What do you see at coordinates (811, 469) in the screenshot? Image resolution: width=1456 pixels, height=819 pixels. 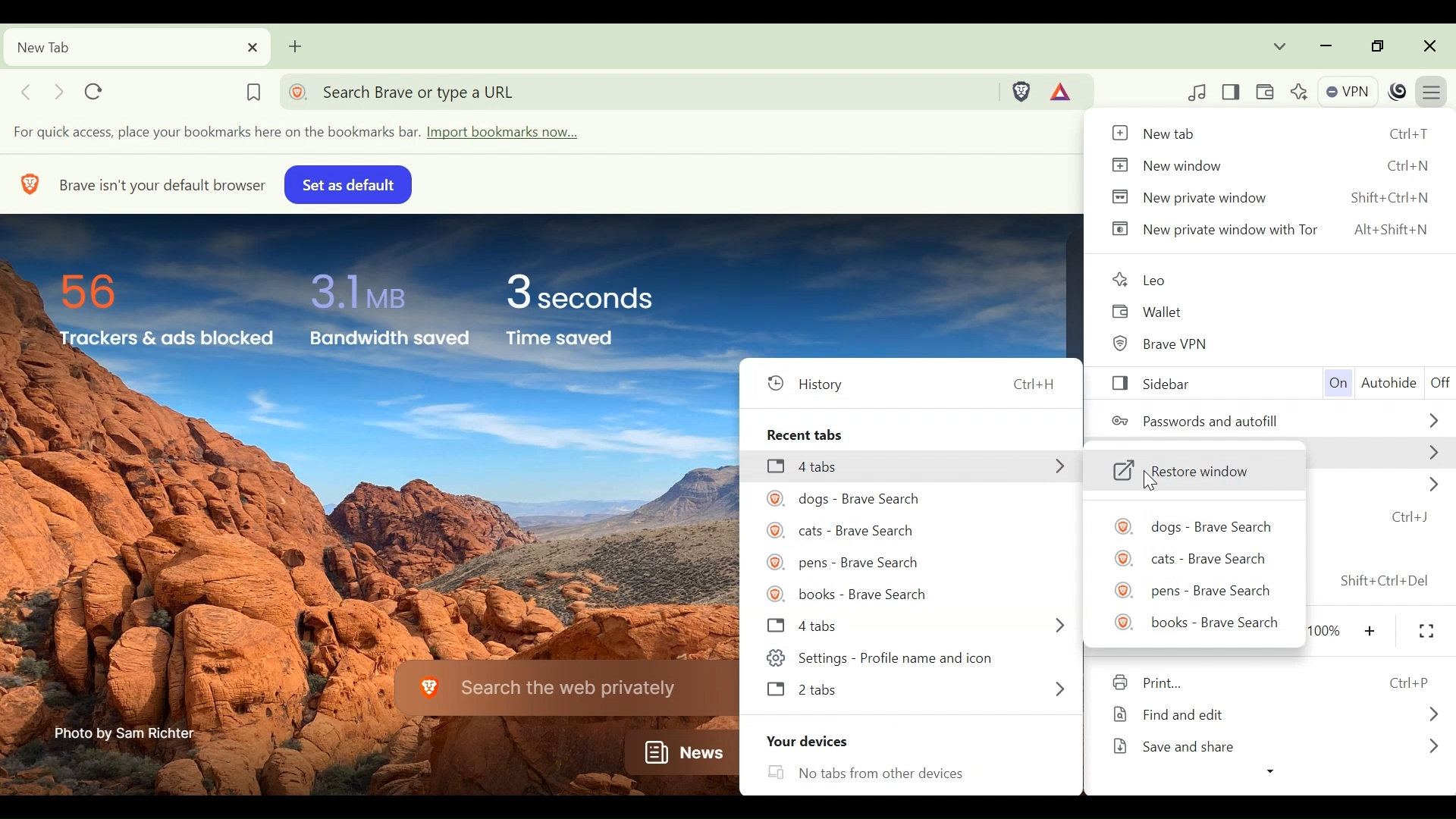 I see `[3 4tabs` at bounding box center [811, 469].